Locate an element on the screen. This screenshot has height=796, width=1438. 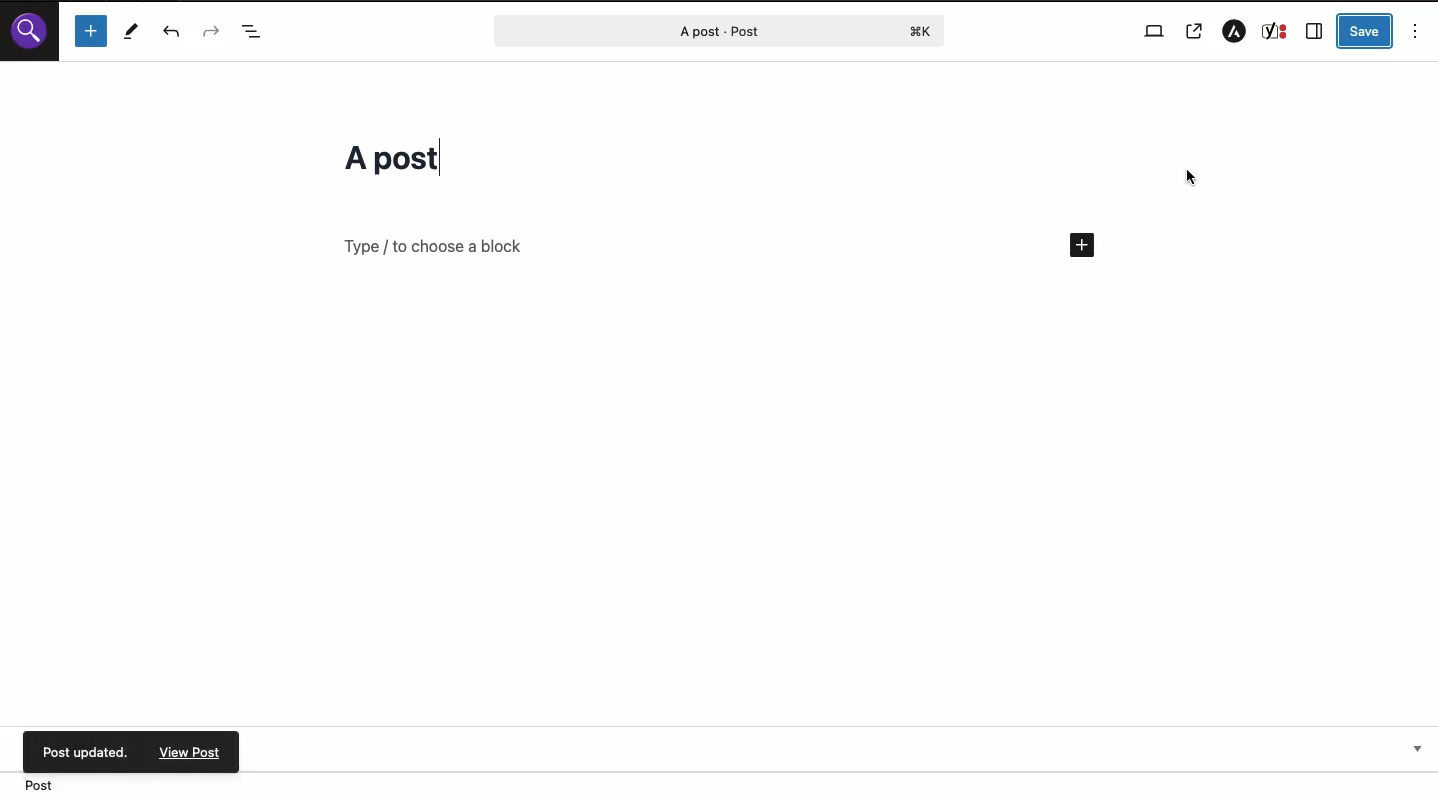
Redo is located at coordinates (209, 31).